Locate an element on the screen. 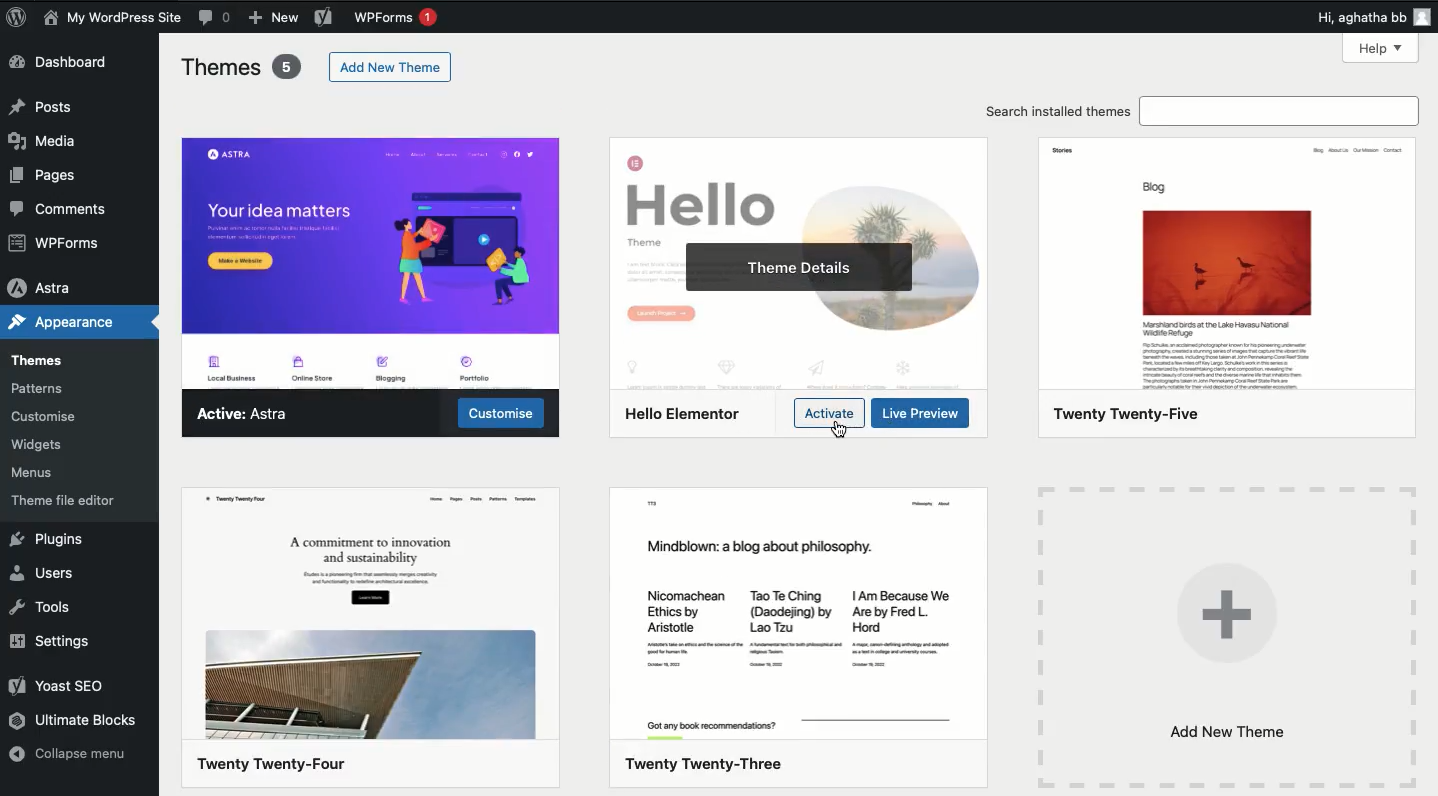 This screenshot has width=1438, height=796. Customise is located at coordinates (46, 418).